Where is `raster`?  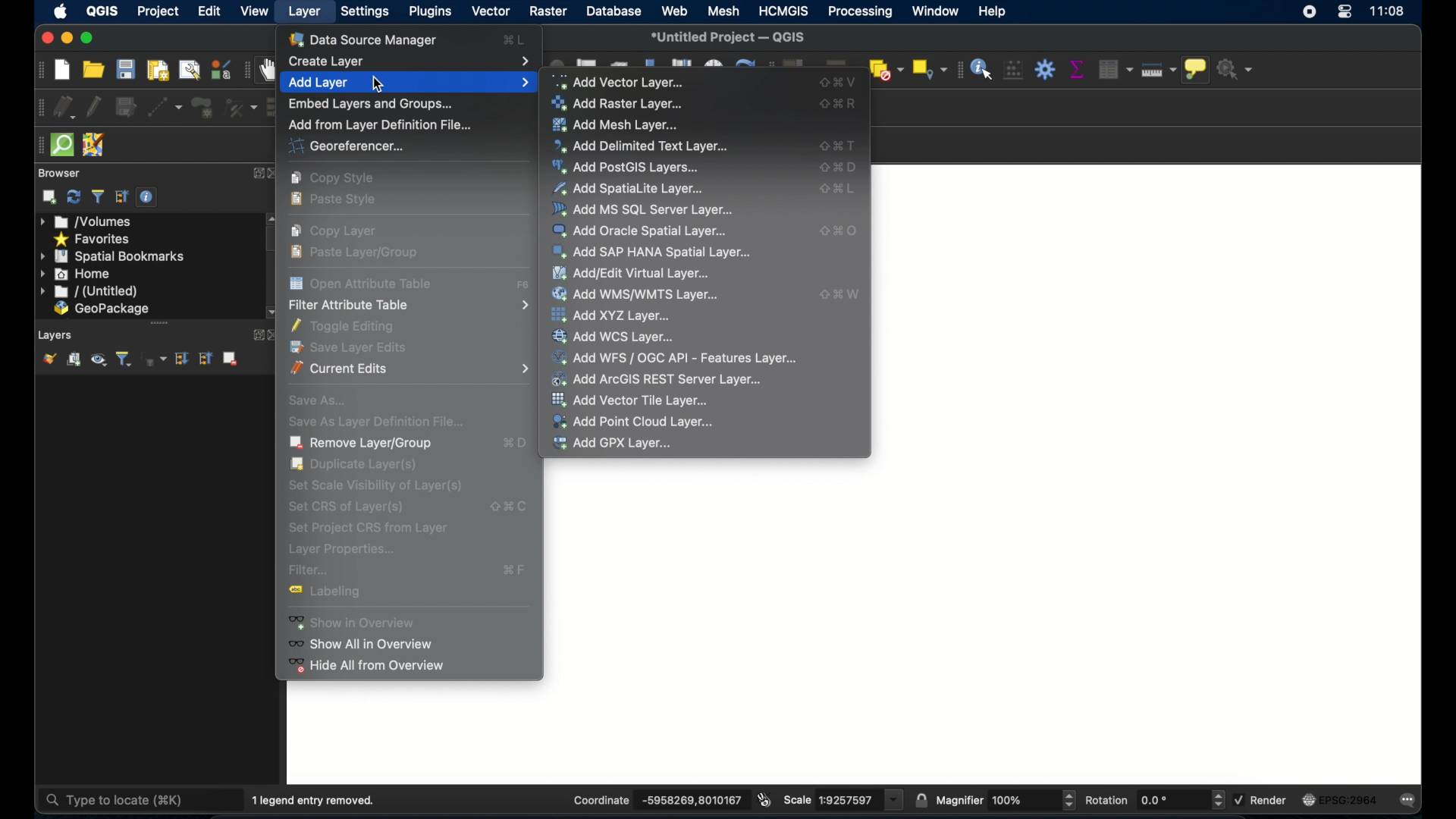
raster is located at coordinates (548, 12).